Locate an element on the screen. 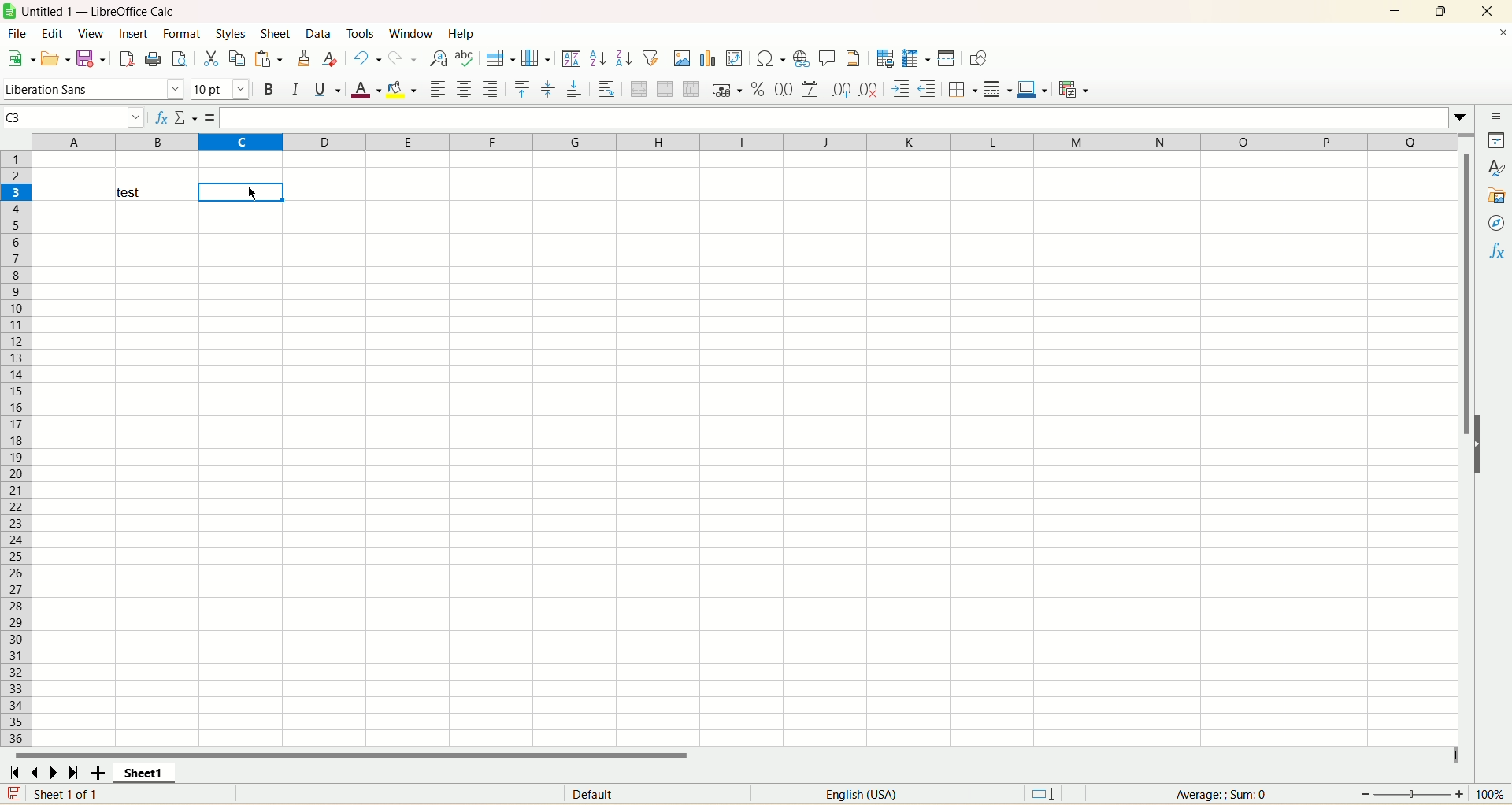  previous sheet is located at coordinates (32, 772).